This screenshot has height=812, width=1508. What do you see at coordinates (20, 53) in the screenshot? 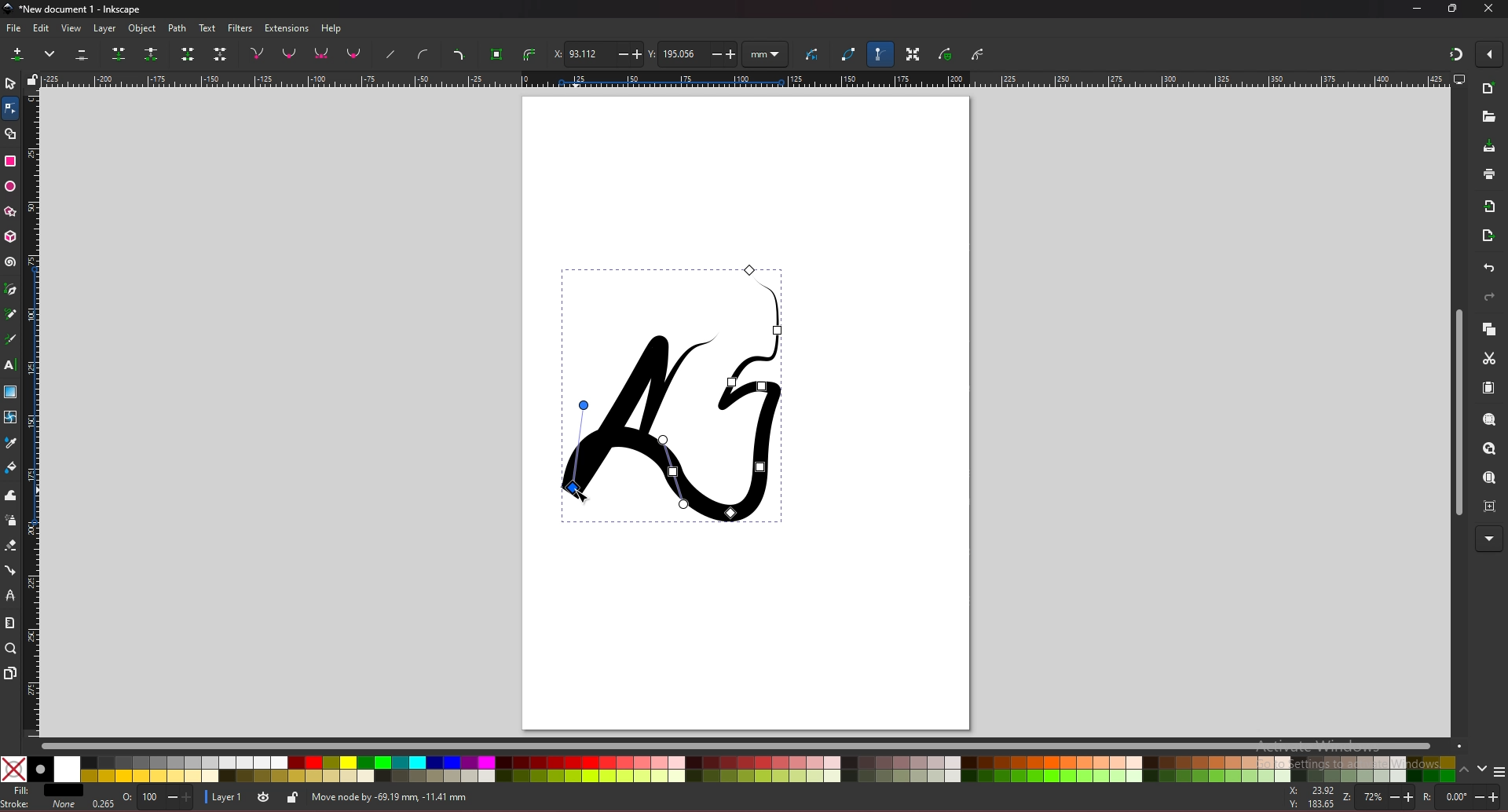
I see `add node` at bounding box center [20, 53].